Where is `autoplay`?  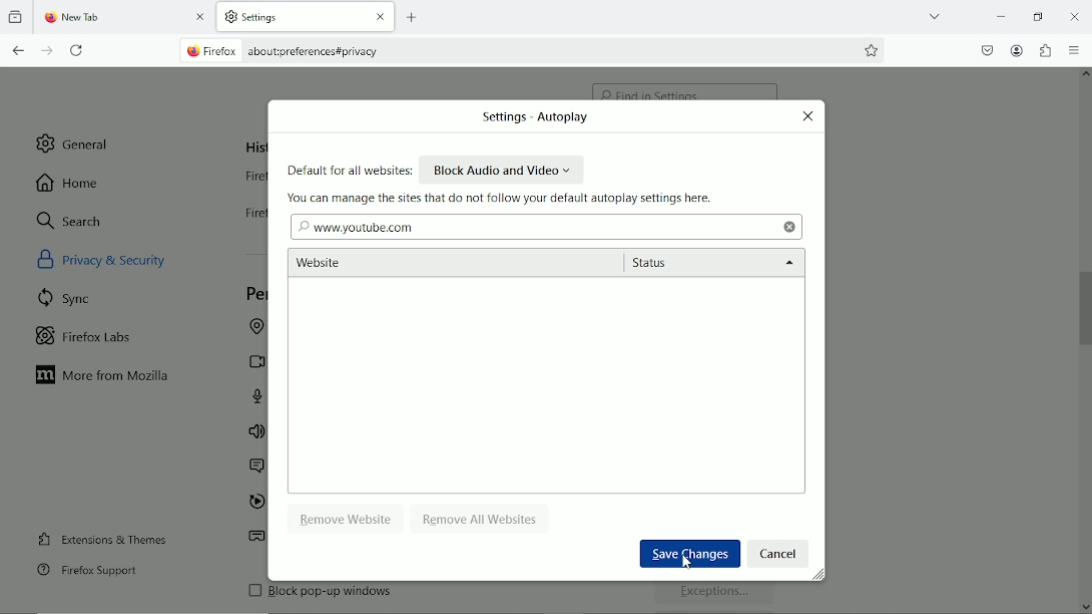 autoplay is located at coordinates (255, 503).